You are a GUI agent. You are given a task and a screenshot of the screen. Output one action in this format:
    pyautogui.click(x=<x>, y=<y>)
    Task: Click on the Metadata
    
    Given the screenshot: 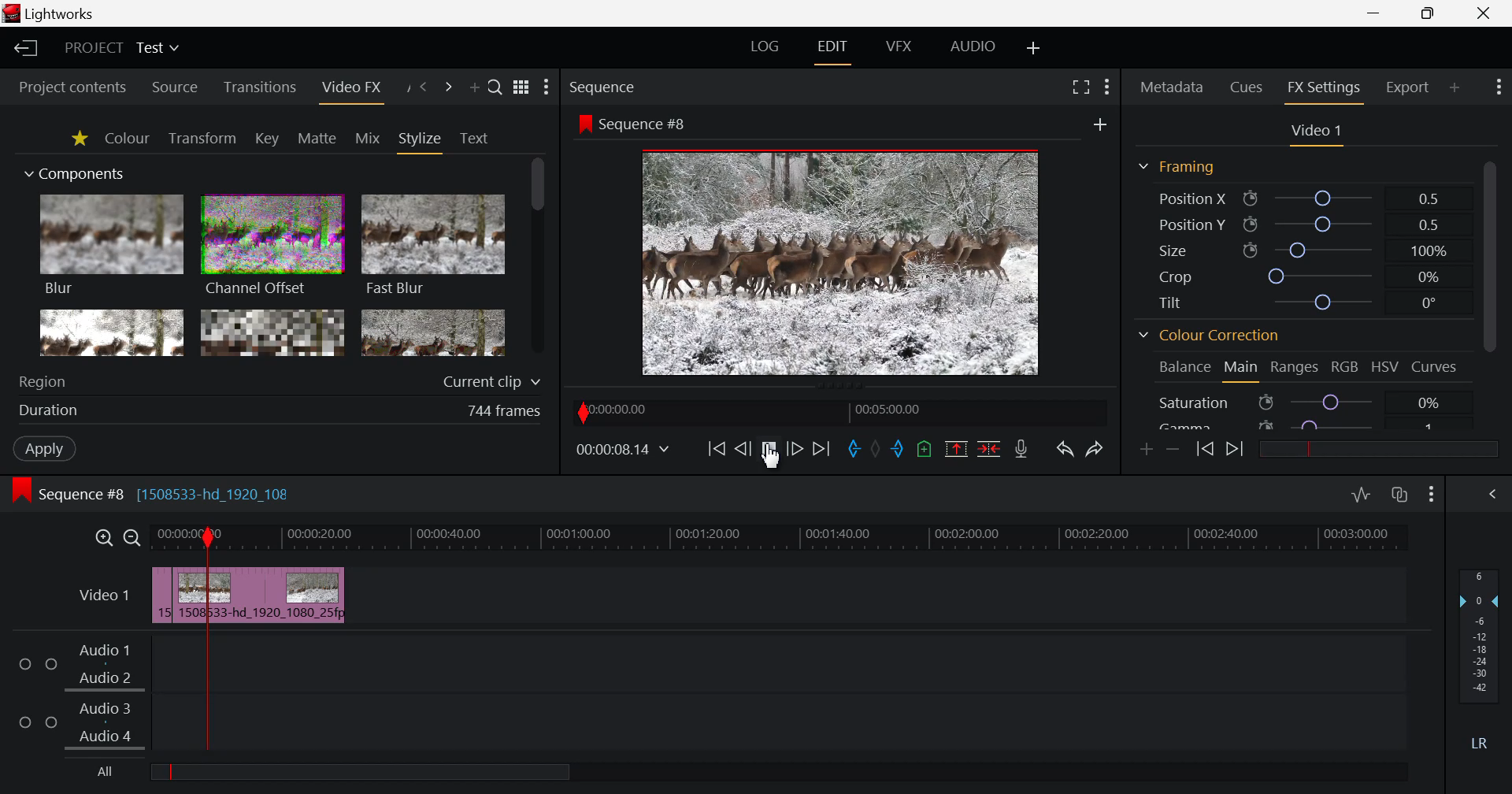 What is the action you would take?
    pyautogui.click(x=1170, y=88)
    